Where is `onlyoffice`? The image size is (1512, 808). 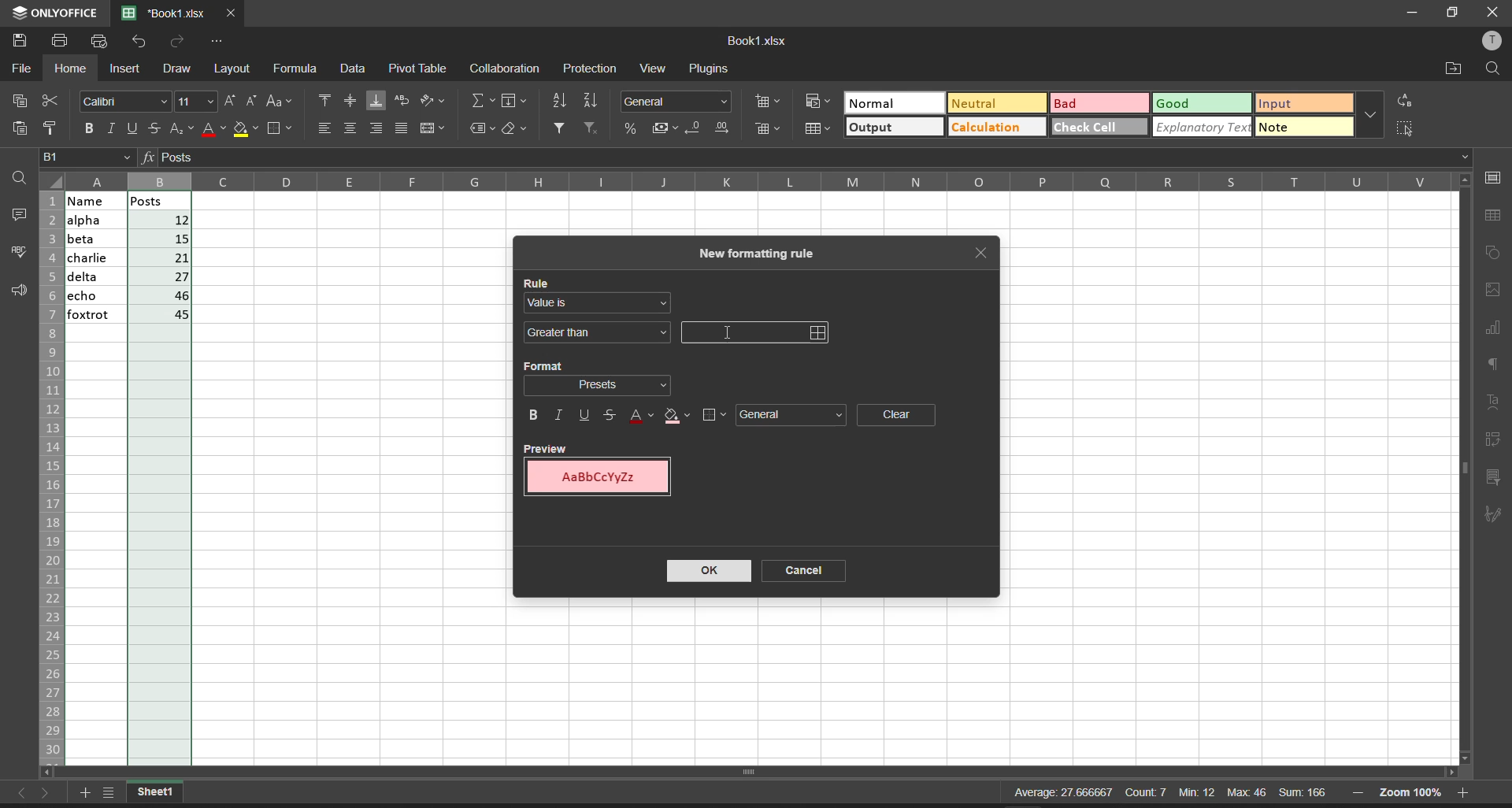 onlyoffice is located at coordinates (58, 14).